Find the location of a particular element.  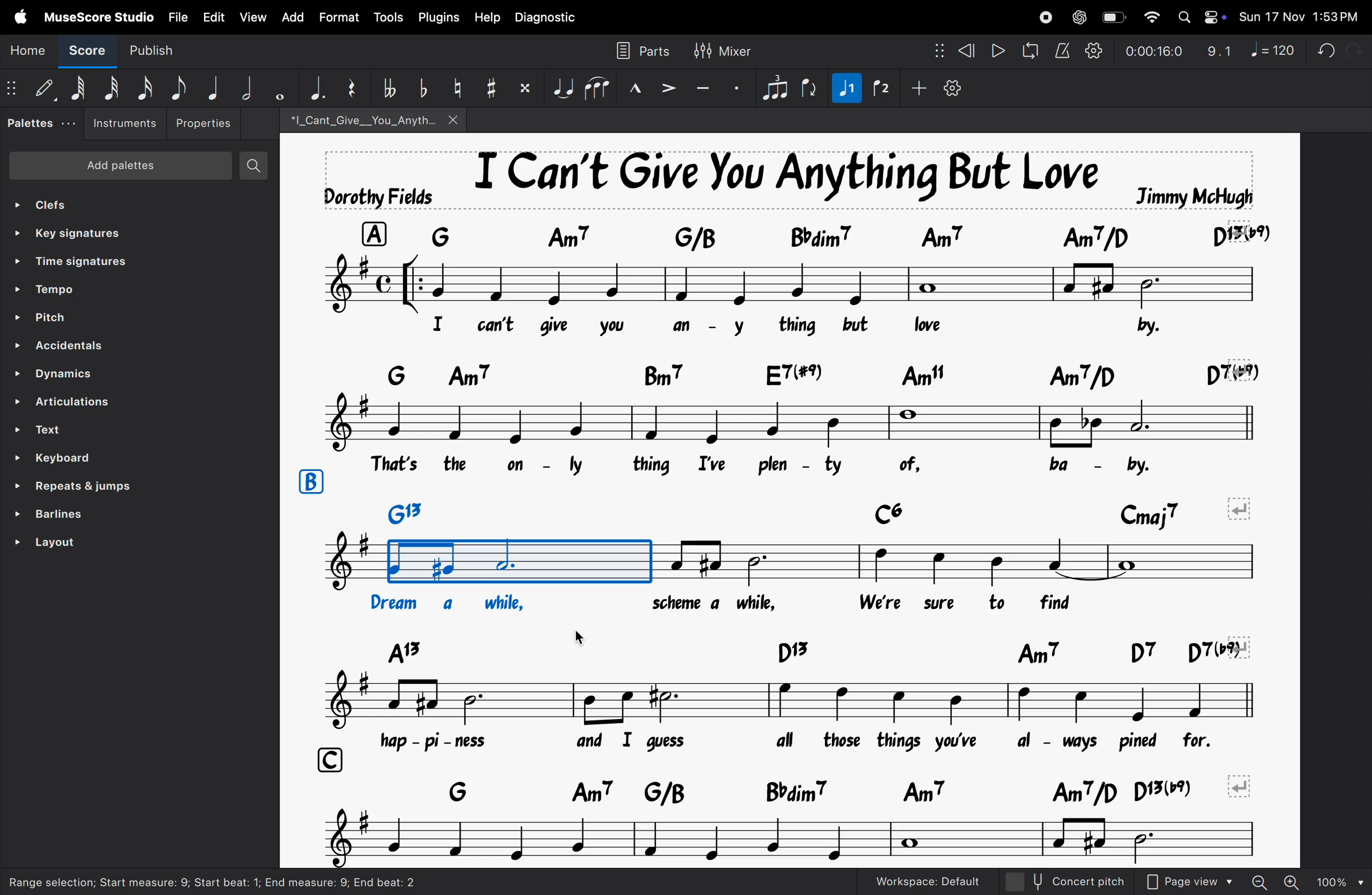

toggle flat is located at coordinates (420, 88).